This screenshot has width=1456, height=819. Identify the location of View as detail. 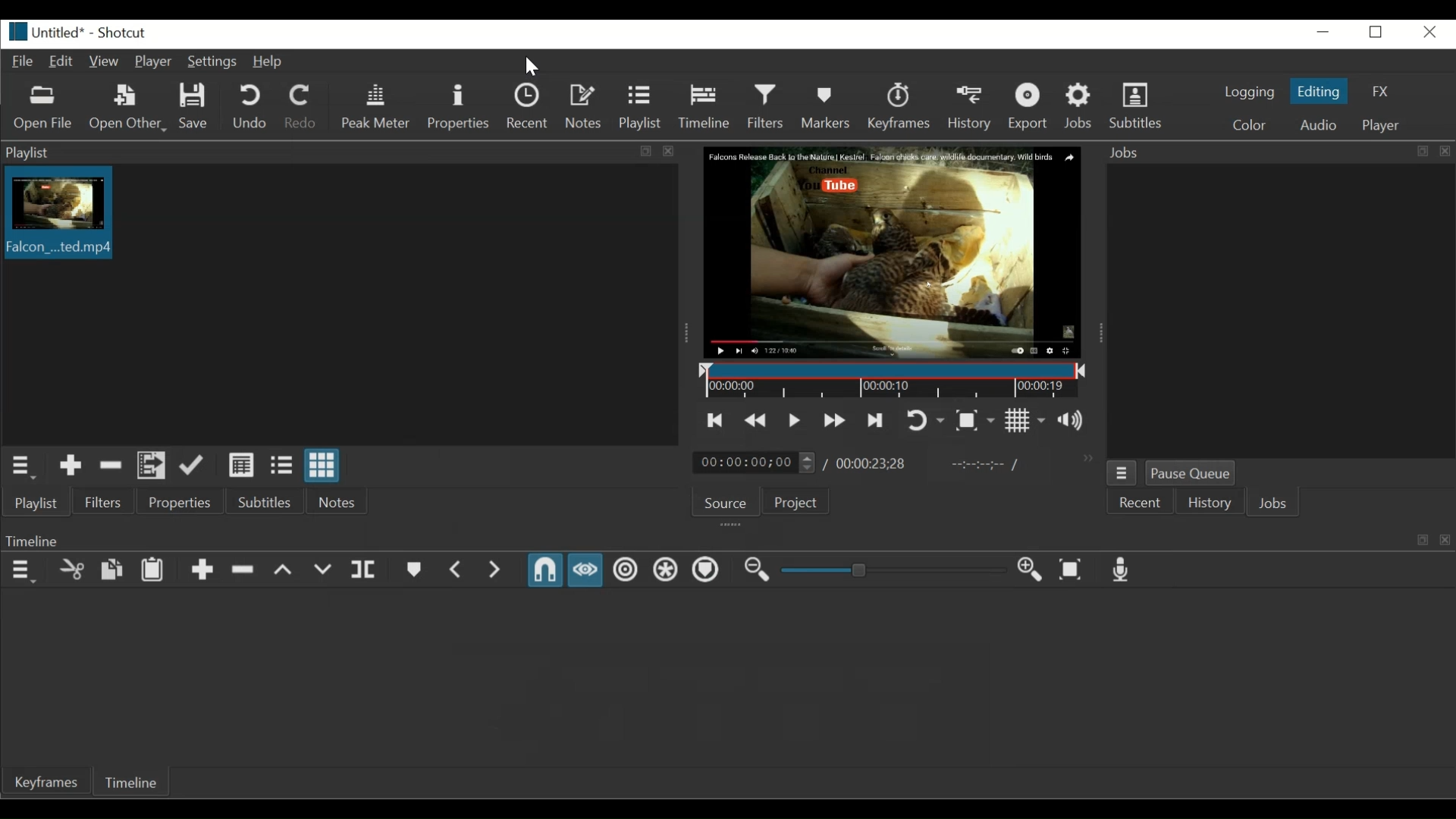
(240, 465).